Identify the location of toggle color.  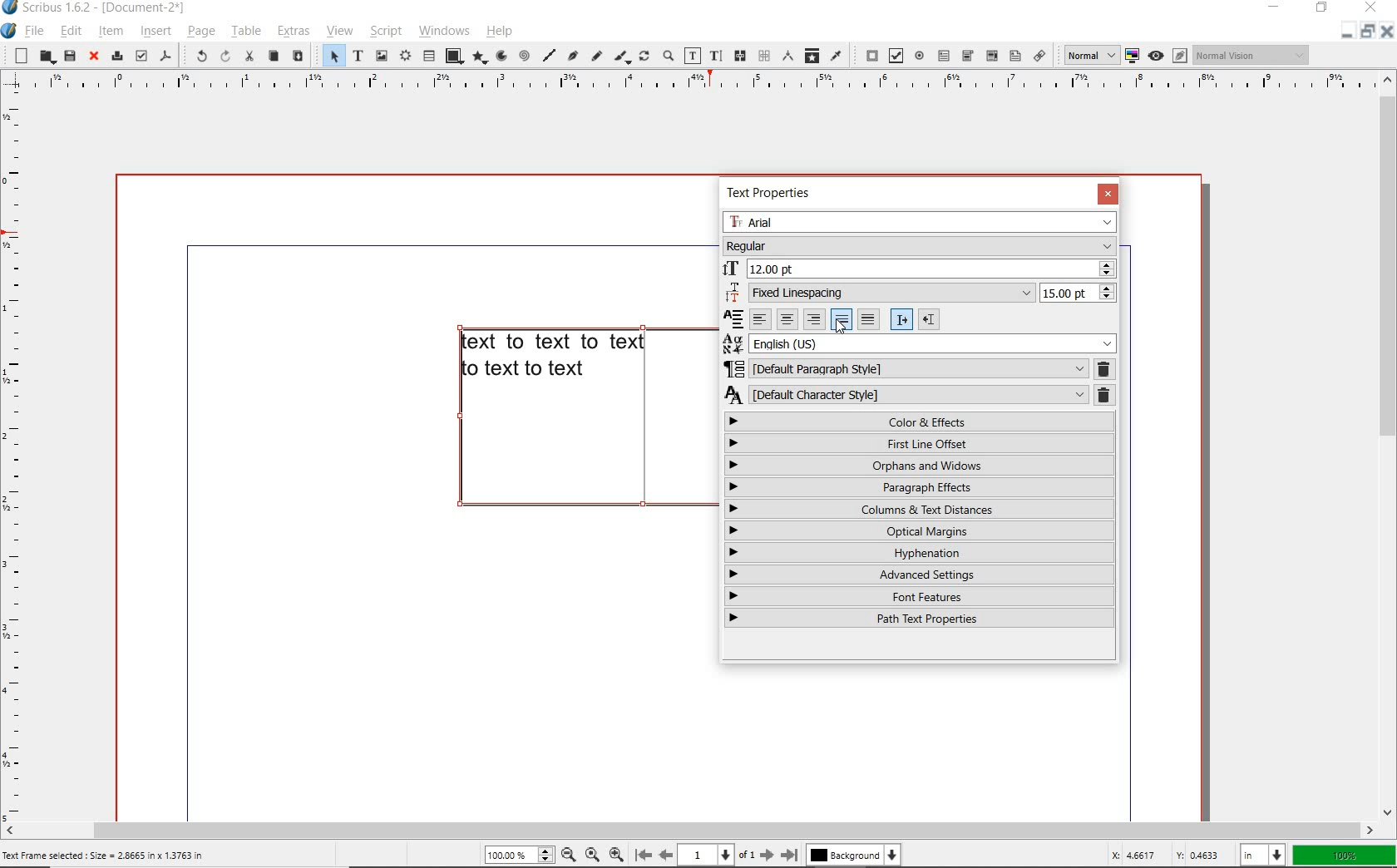
(1133, 56).